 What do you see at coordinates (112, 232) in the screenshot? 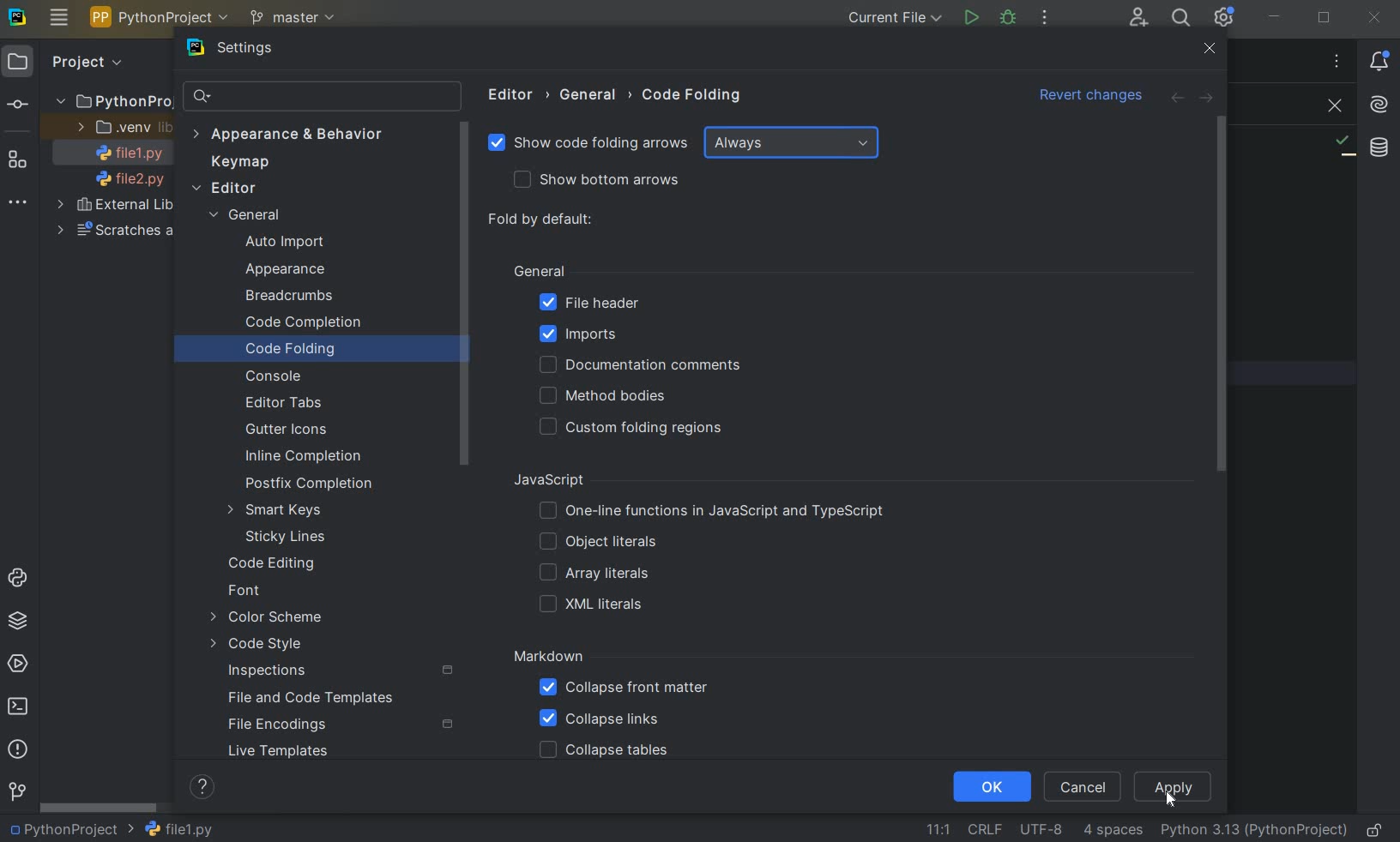
I see `SCRATCHES AND CONSOLES` at bounding box center [112, 232].